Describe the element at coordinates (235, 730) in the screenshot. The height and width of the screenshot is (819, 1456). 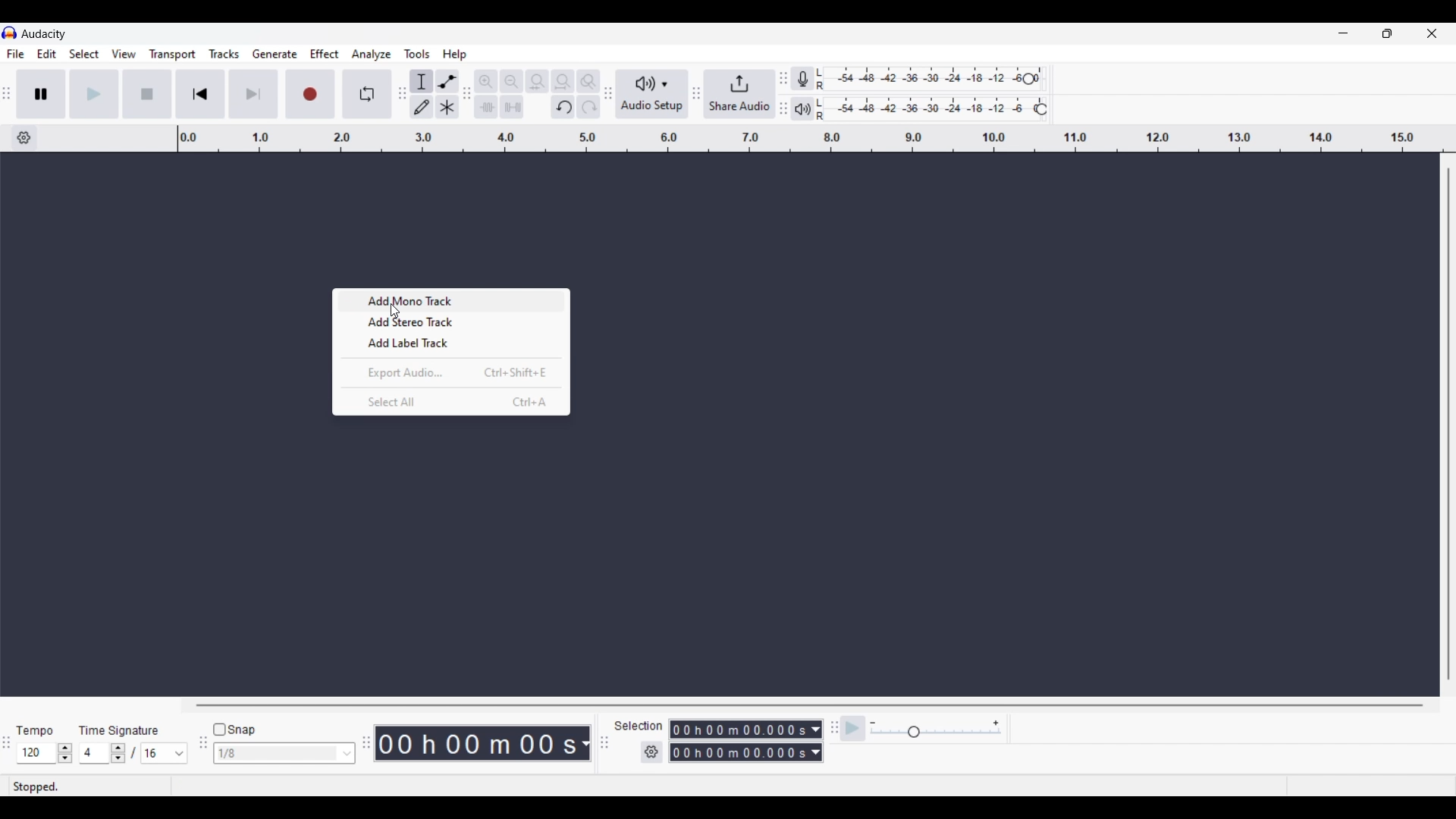
I see `Snap toggle` at that location.